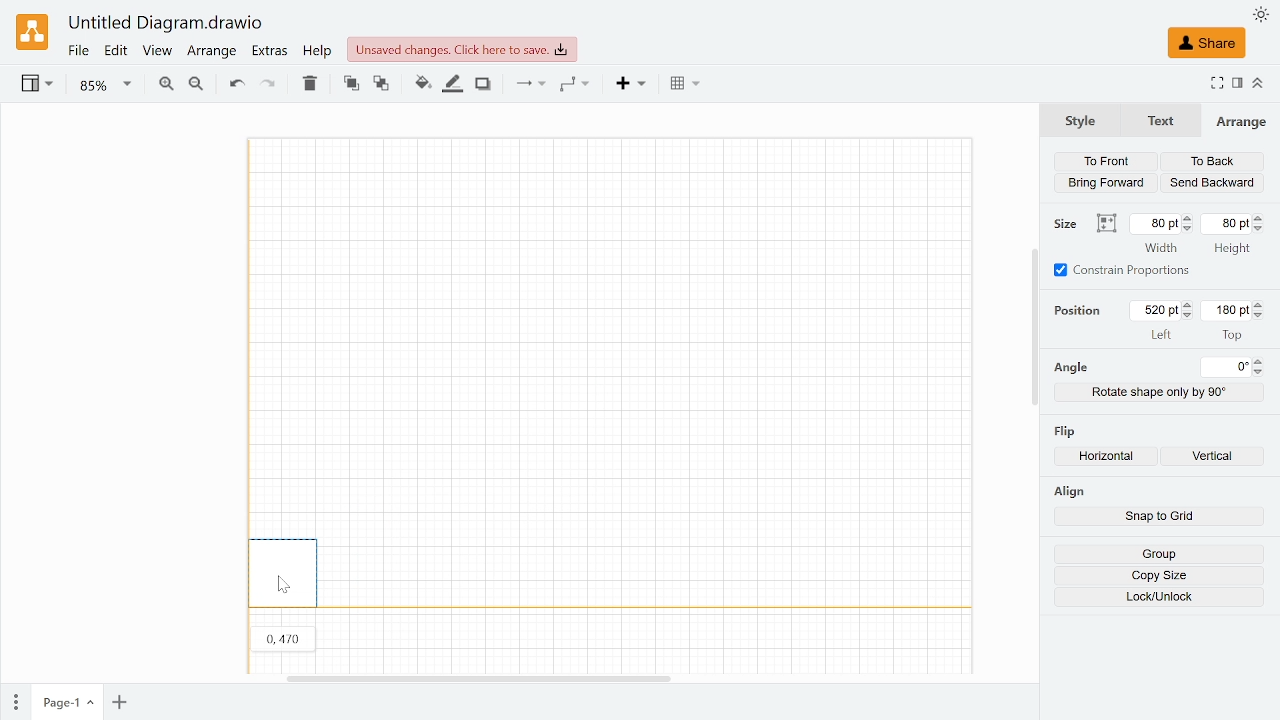  Describe the element at coordinates (1156, 310) in the screenshot. I see `Current left positons` at that location.